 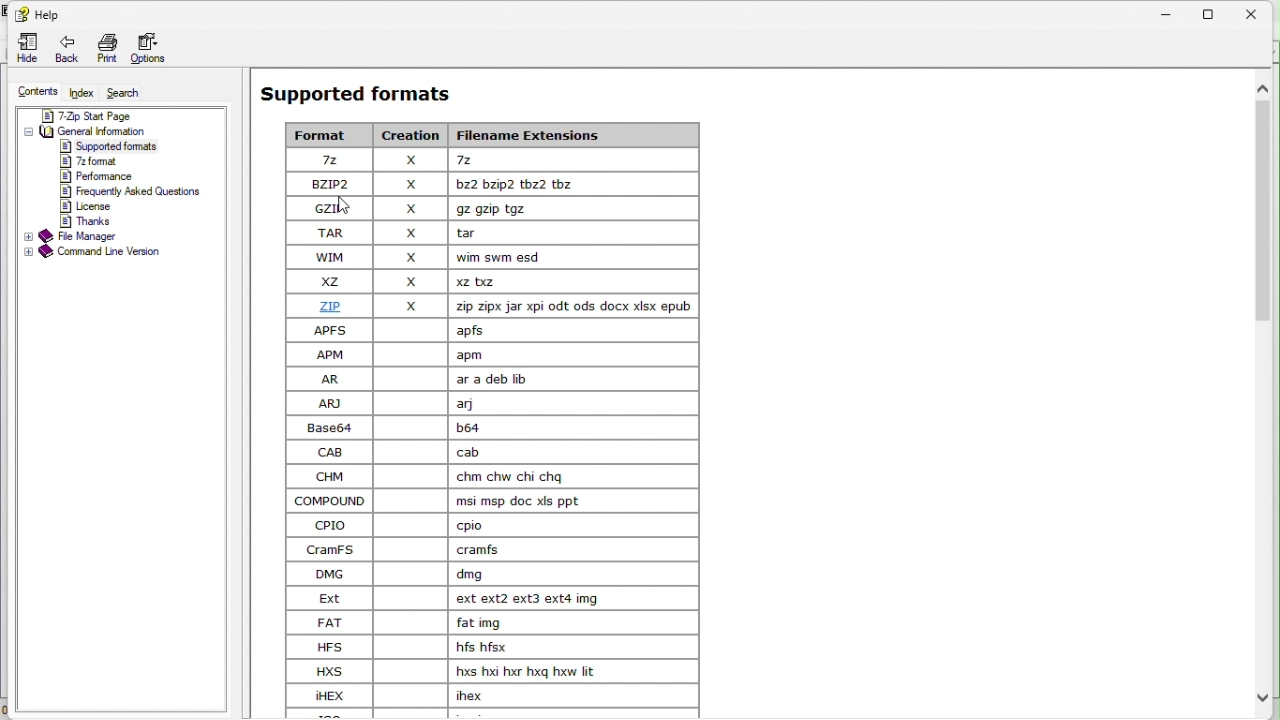 I want to click on Print, so click(x=106, y=50).